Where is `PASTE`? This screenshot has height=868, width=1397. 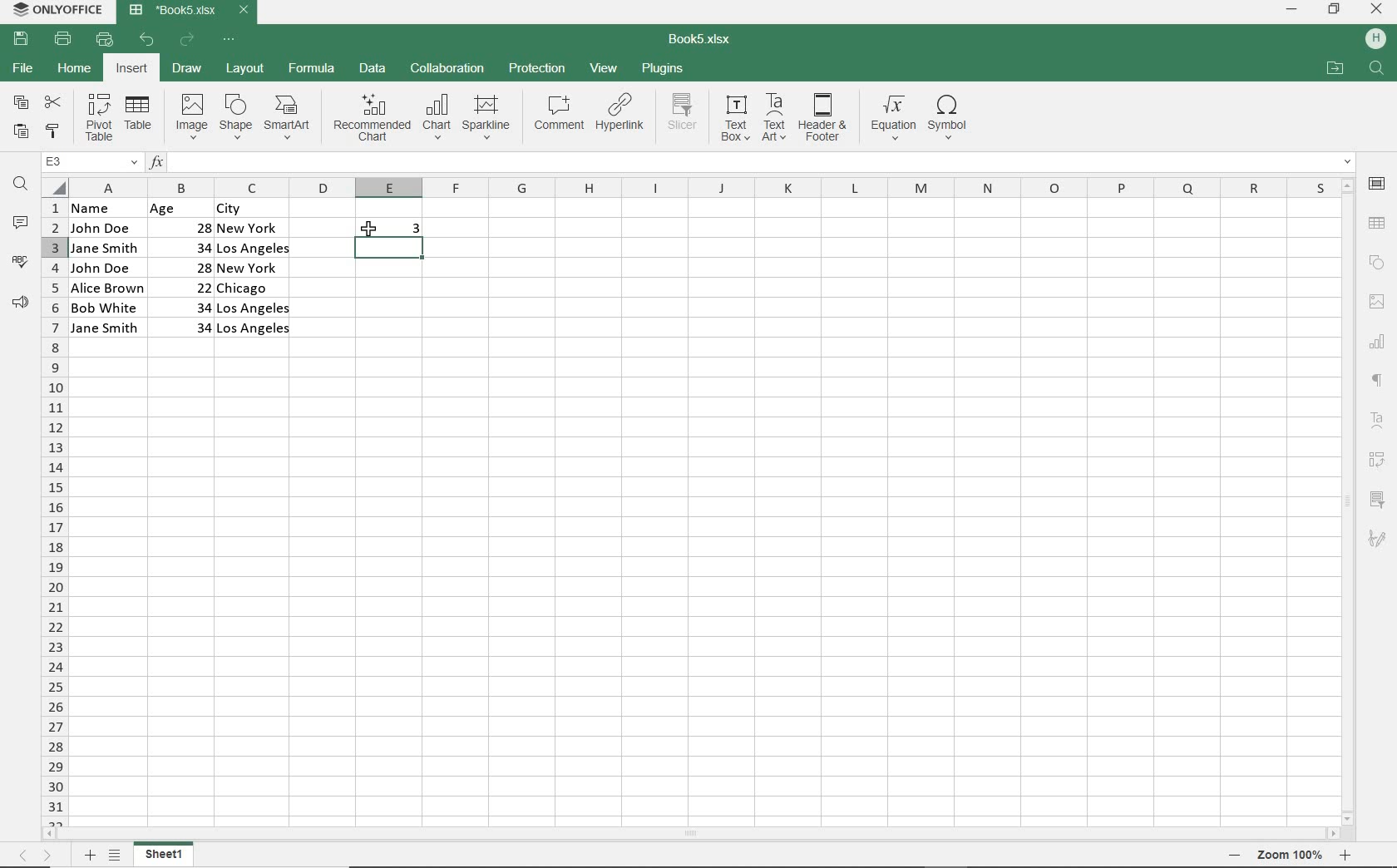
PASTE is located at coordinates (22, 133).